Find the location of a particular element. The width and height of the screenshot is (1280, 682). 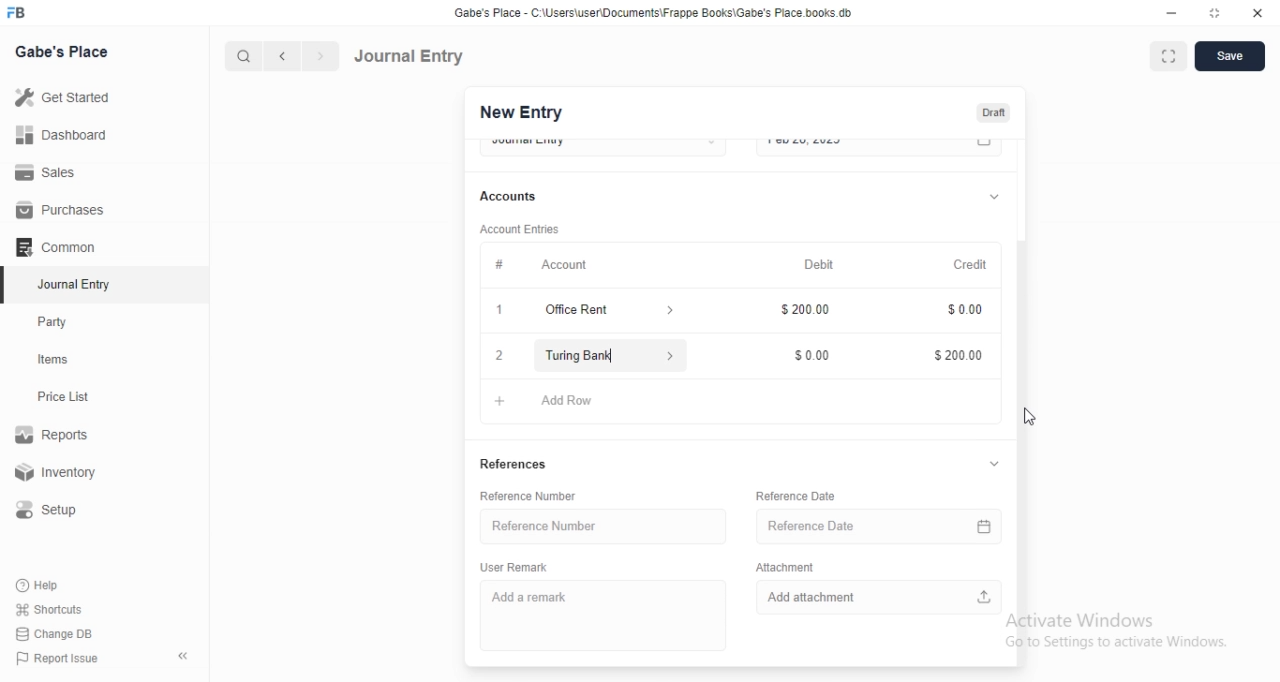

Help is located at coordinates (41, 585).